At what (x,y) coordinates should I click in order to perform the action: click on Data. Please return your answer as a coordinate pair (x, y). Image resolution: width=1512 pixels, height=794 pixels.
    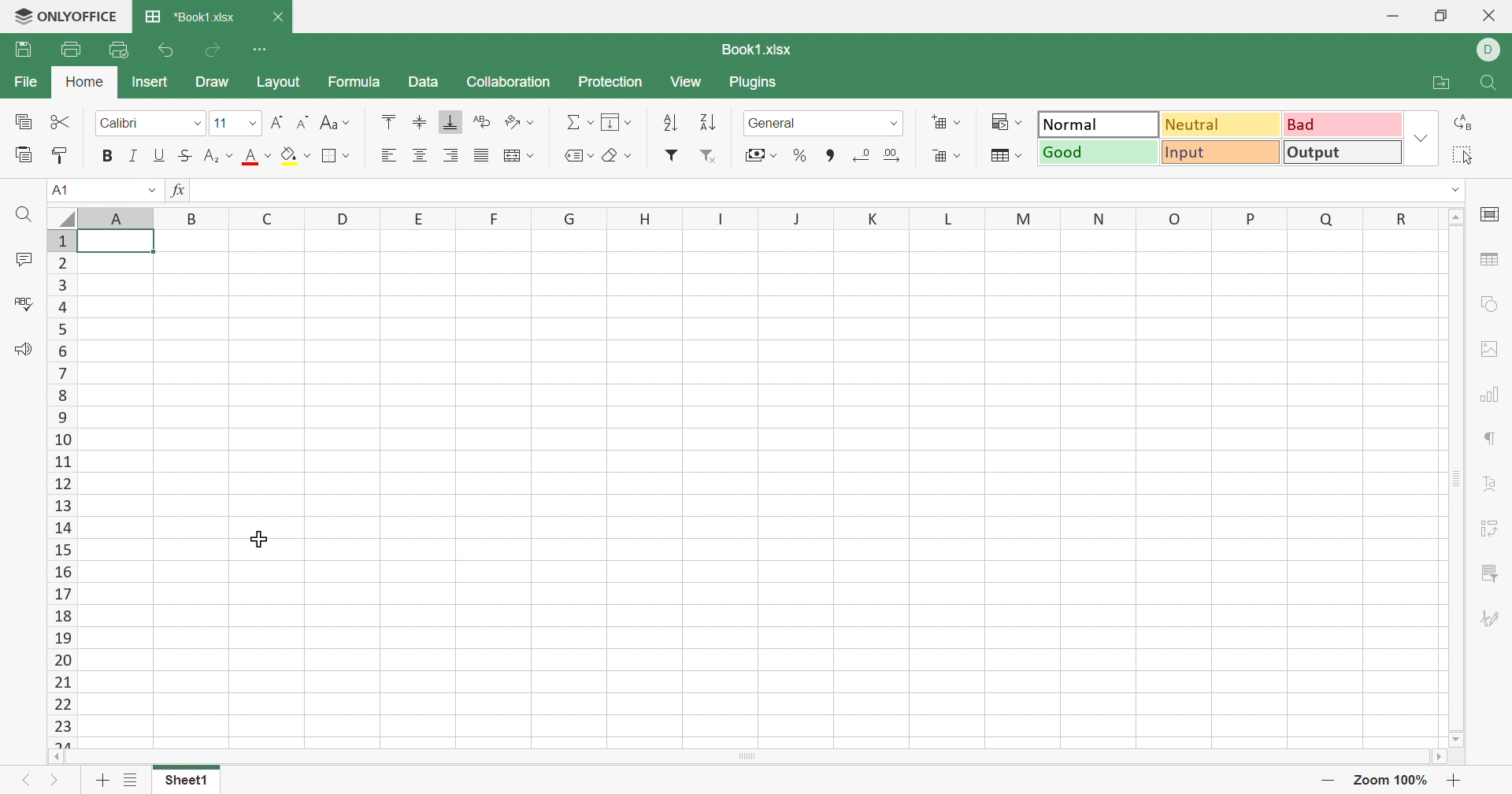
    Looking at the image, I should click on (421, 81).